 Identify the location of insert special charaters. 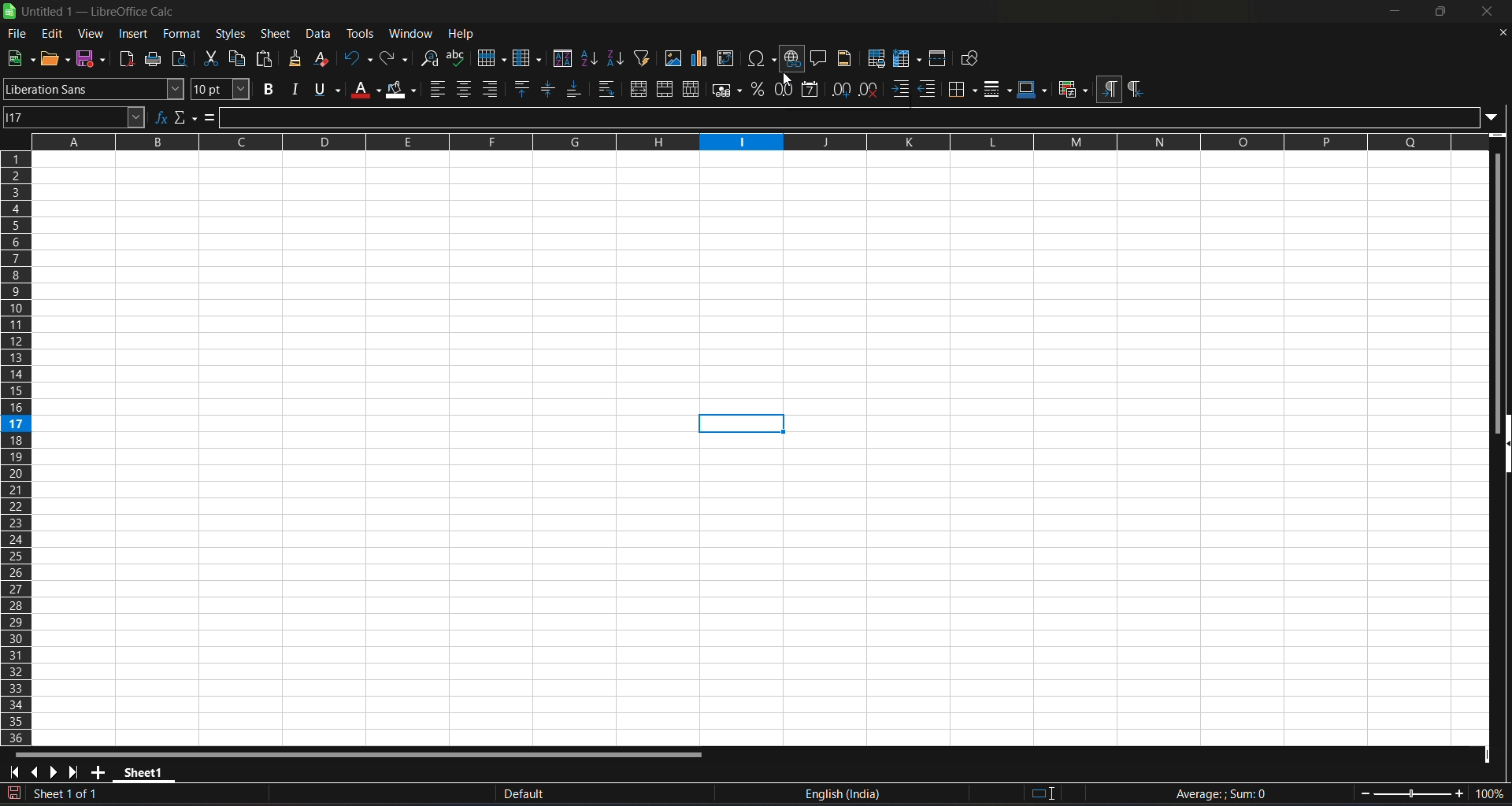
(760, 58).